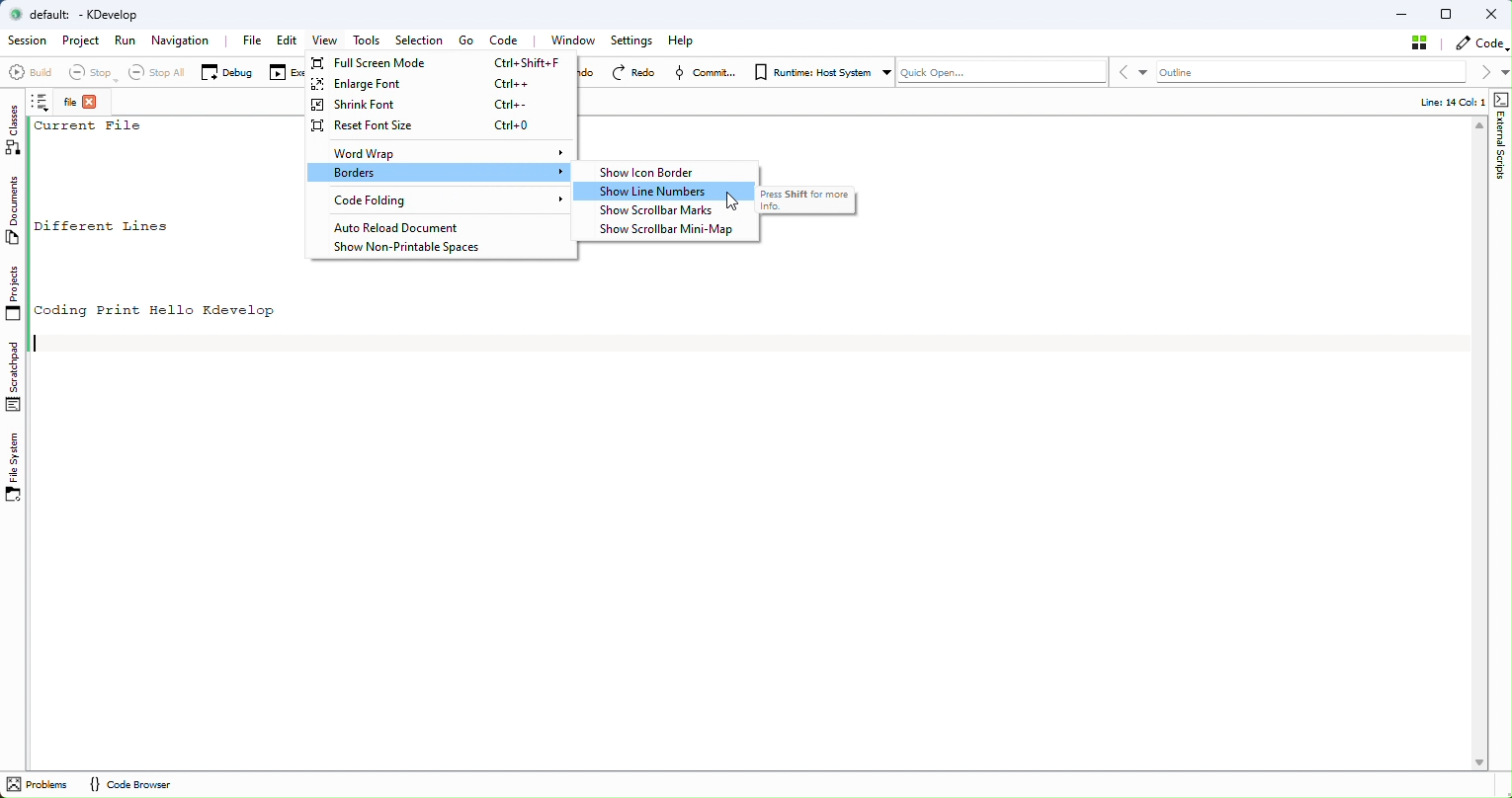 The height and width of the screenshot is (798, 1512). I want to click on File, so click(252, 40).